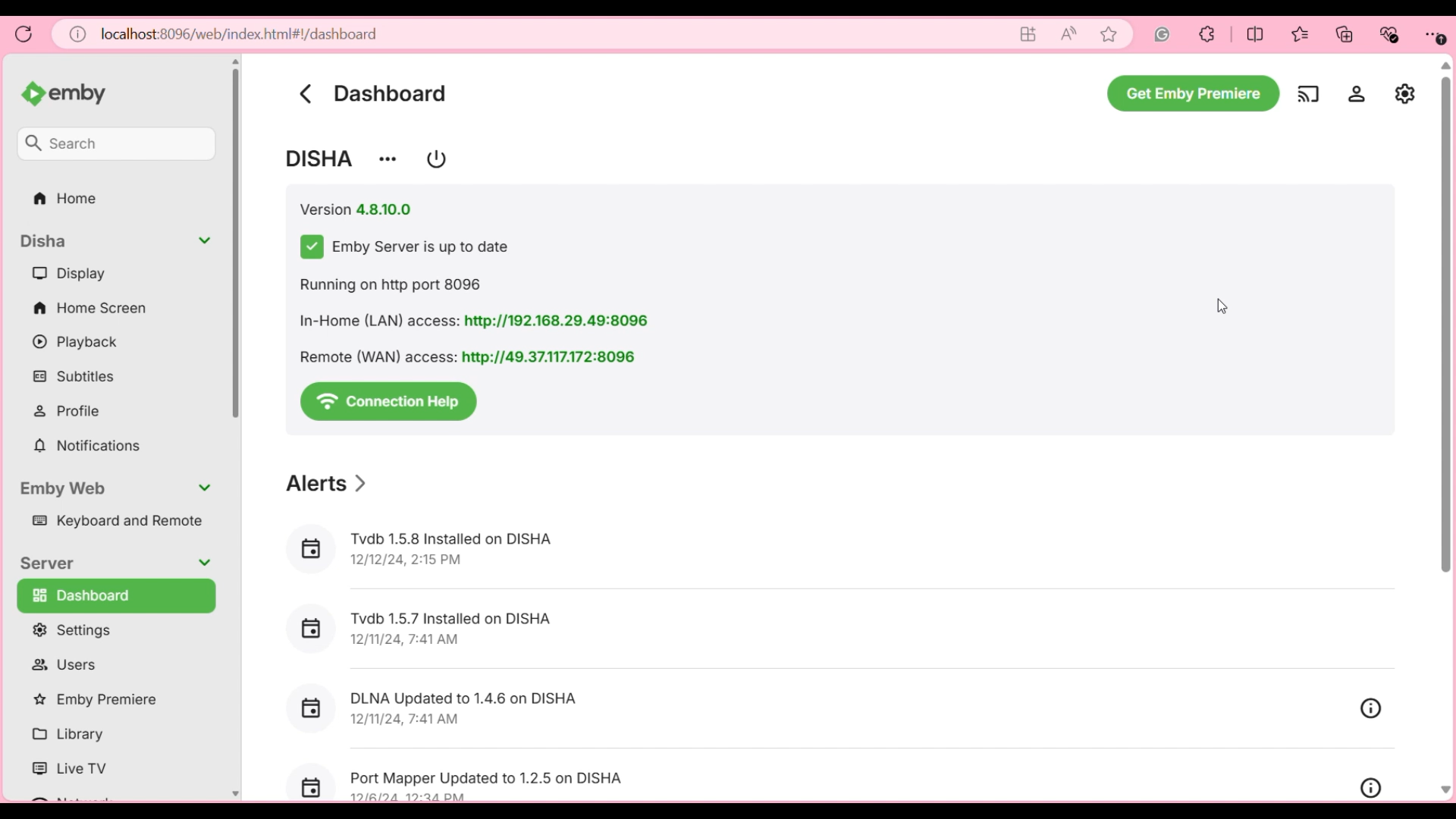 This screenshot has width=1456, height=819. Describe the element at coordinates (492, 777) in the screenshot. I see `Port Mapper Updated to 1.2.5 on DISHA` at that location.